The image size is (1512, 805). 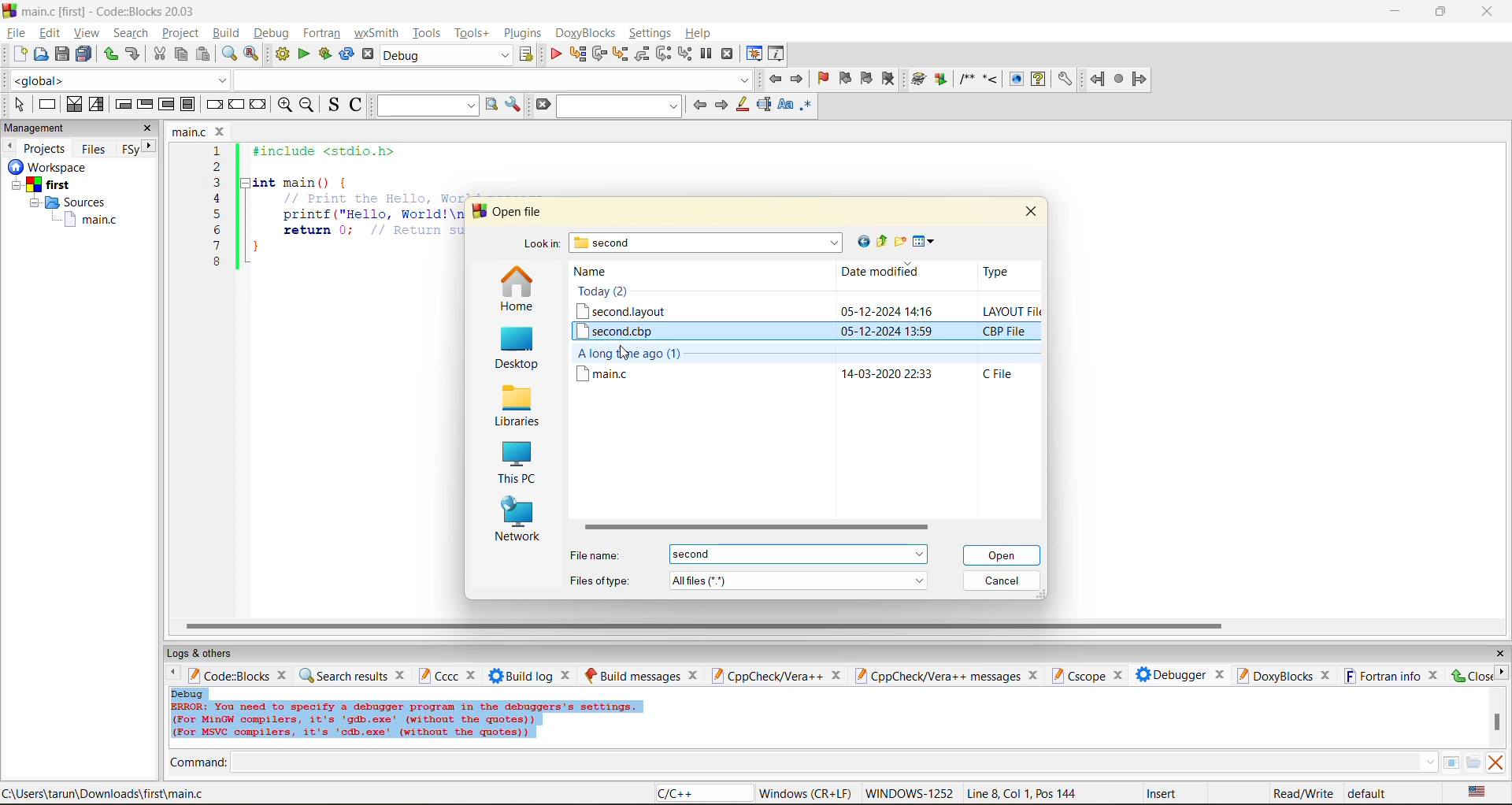 What do you see at coordinates (131, 32) in the screenshot?
I see `search` at bounding box center [131, 32].